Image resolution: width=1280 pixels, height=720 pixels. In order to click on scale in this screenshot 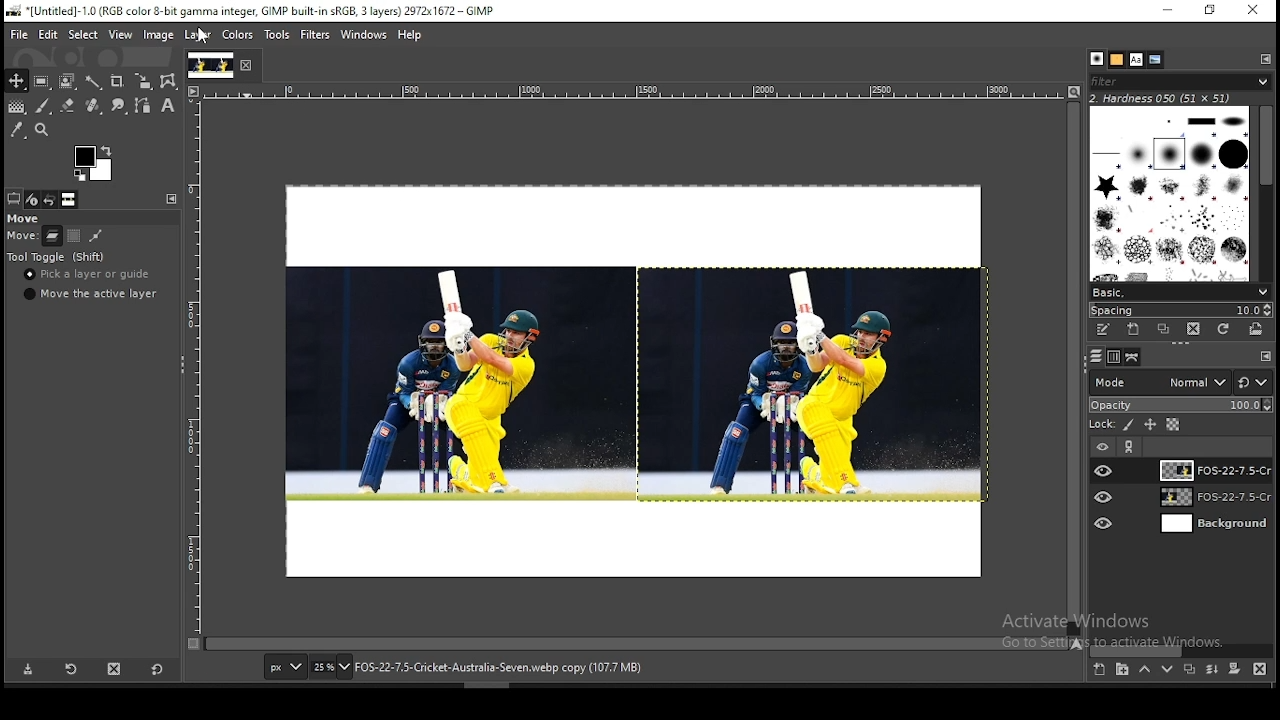, I will do `click(624, 91)`.